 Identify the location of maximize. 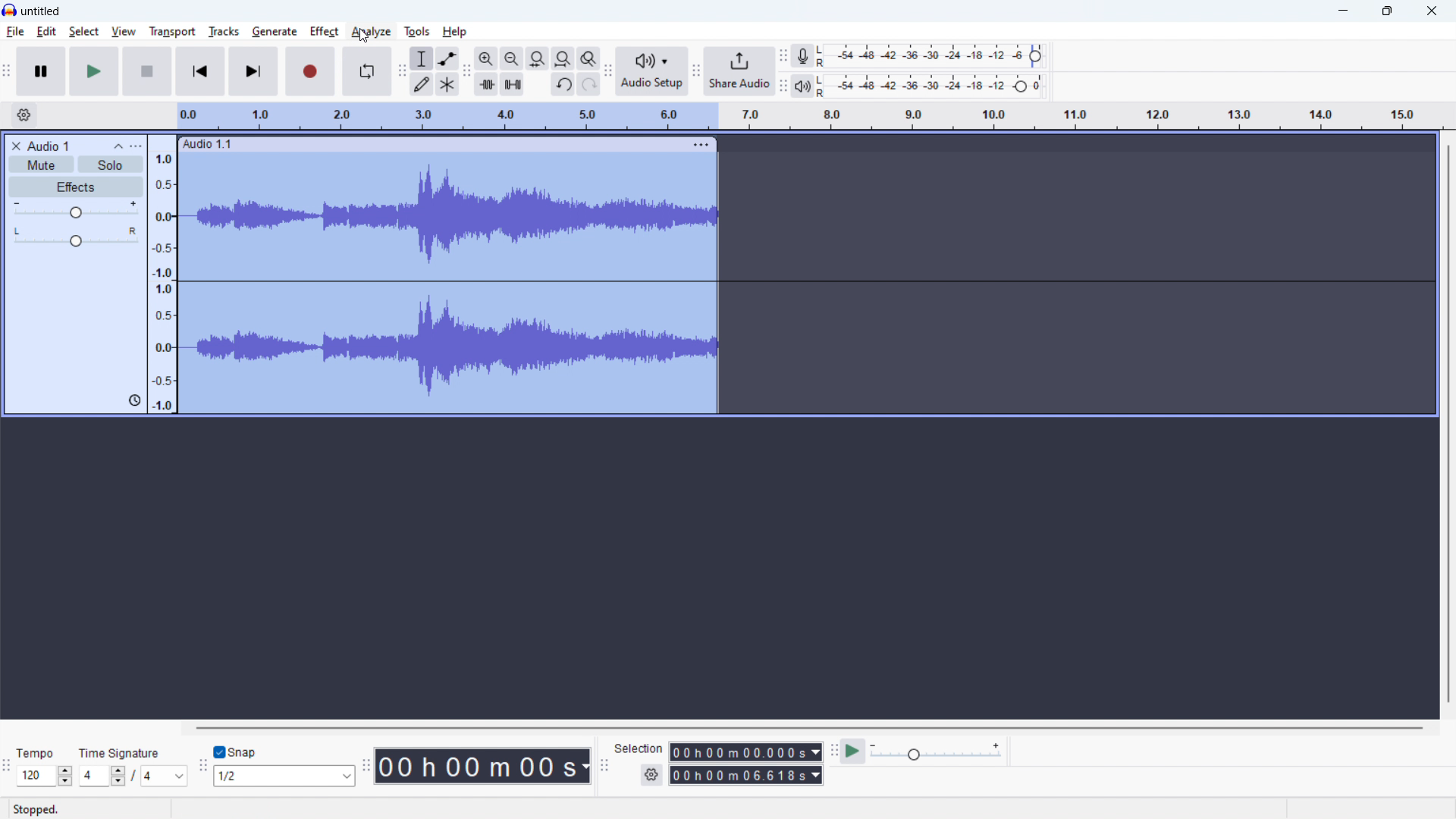
(1386, 11).